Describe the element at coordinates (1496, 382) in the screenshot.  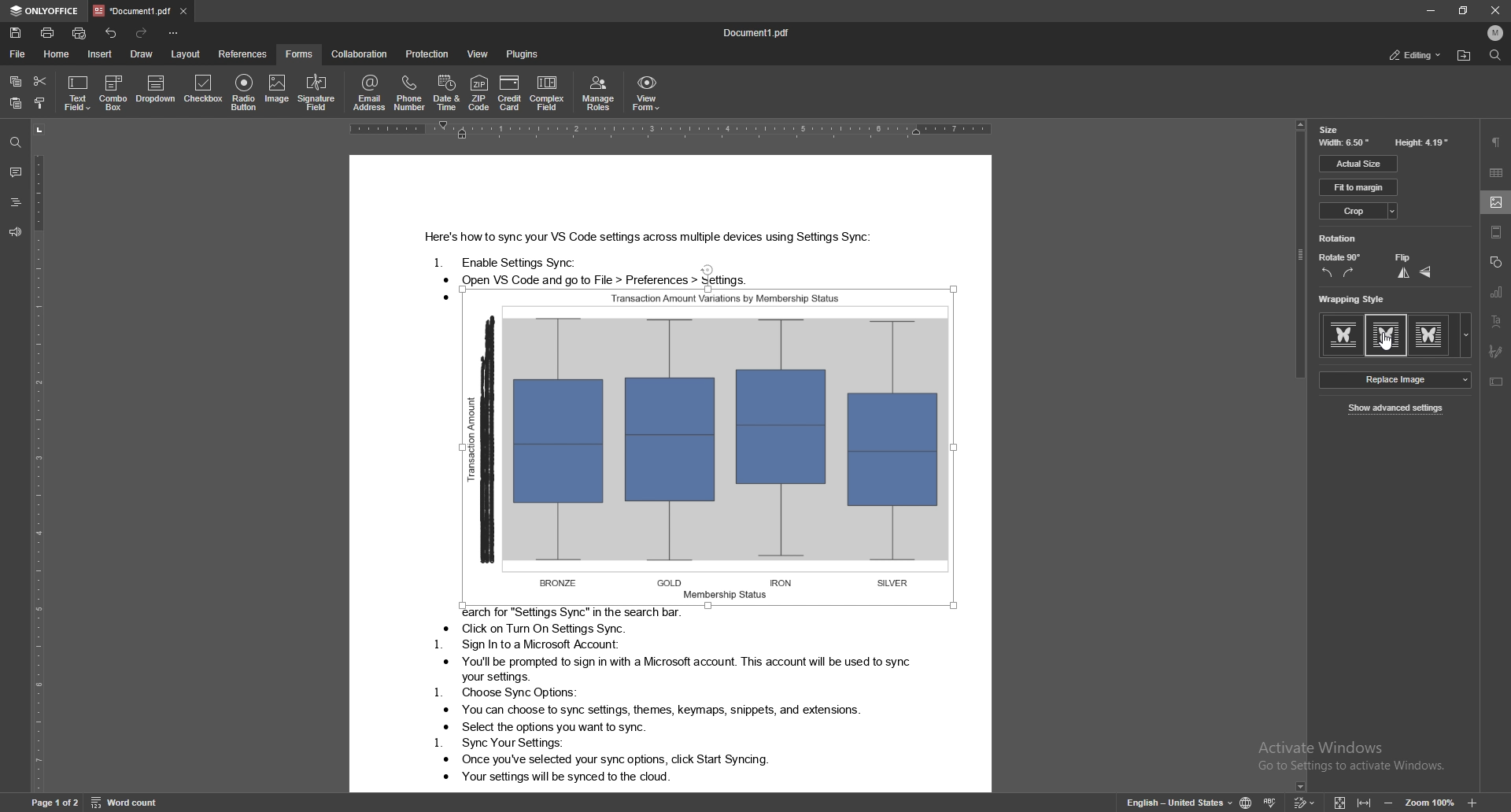
I see `text box` at that location.